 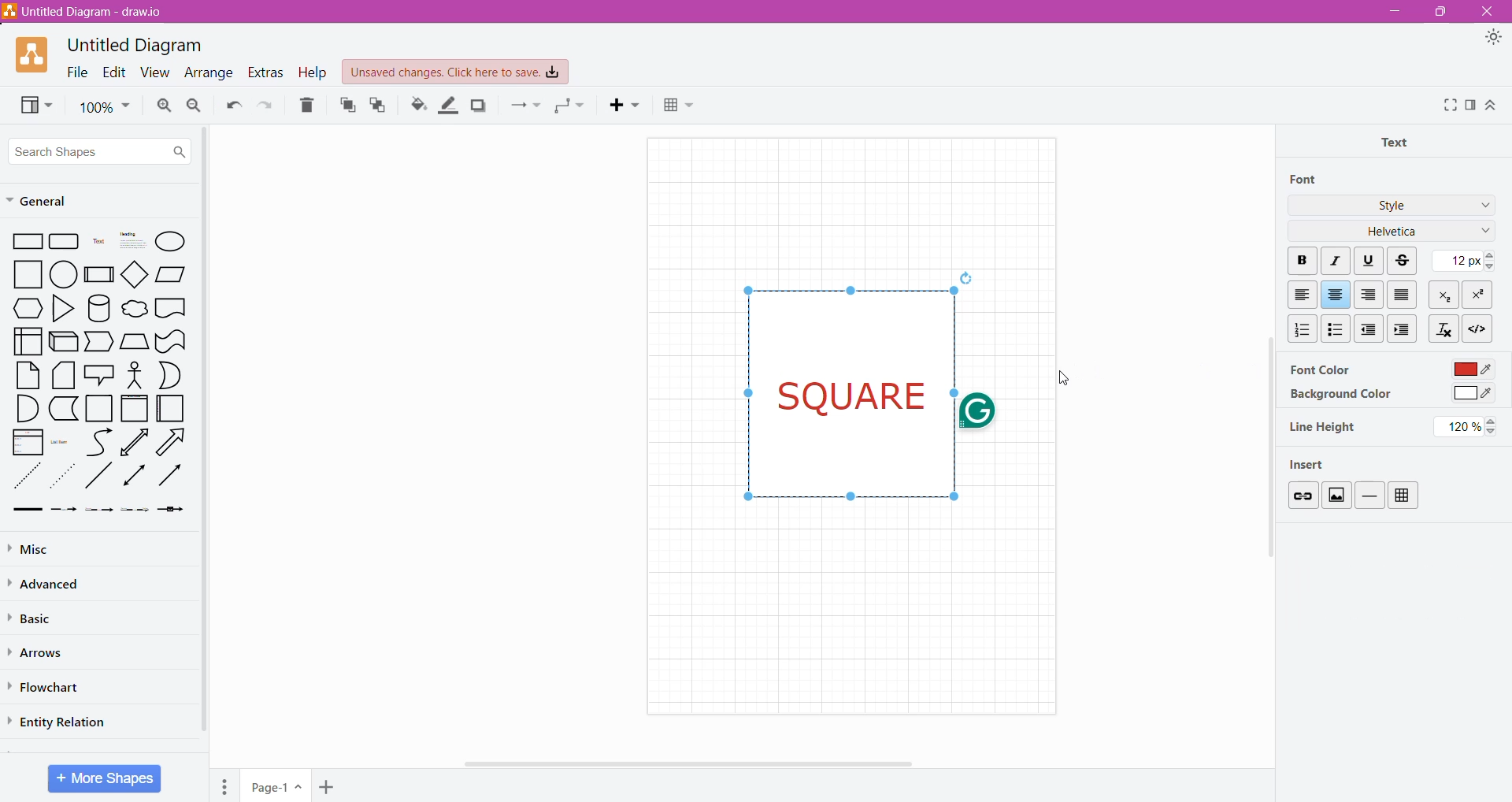 What do you see at coordinates (1340, 395) in the screenshot?
I see `Background Color` at bounding box center [1340, 395].